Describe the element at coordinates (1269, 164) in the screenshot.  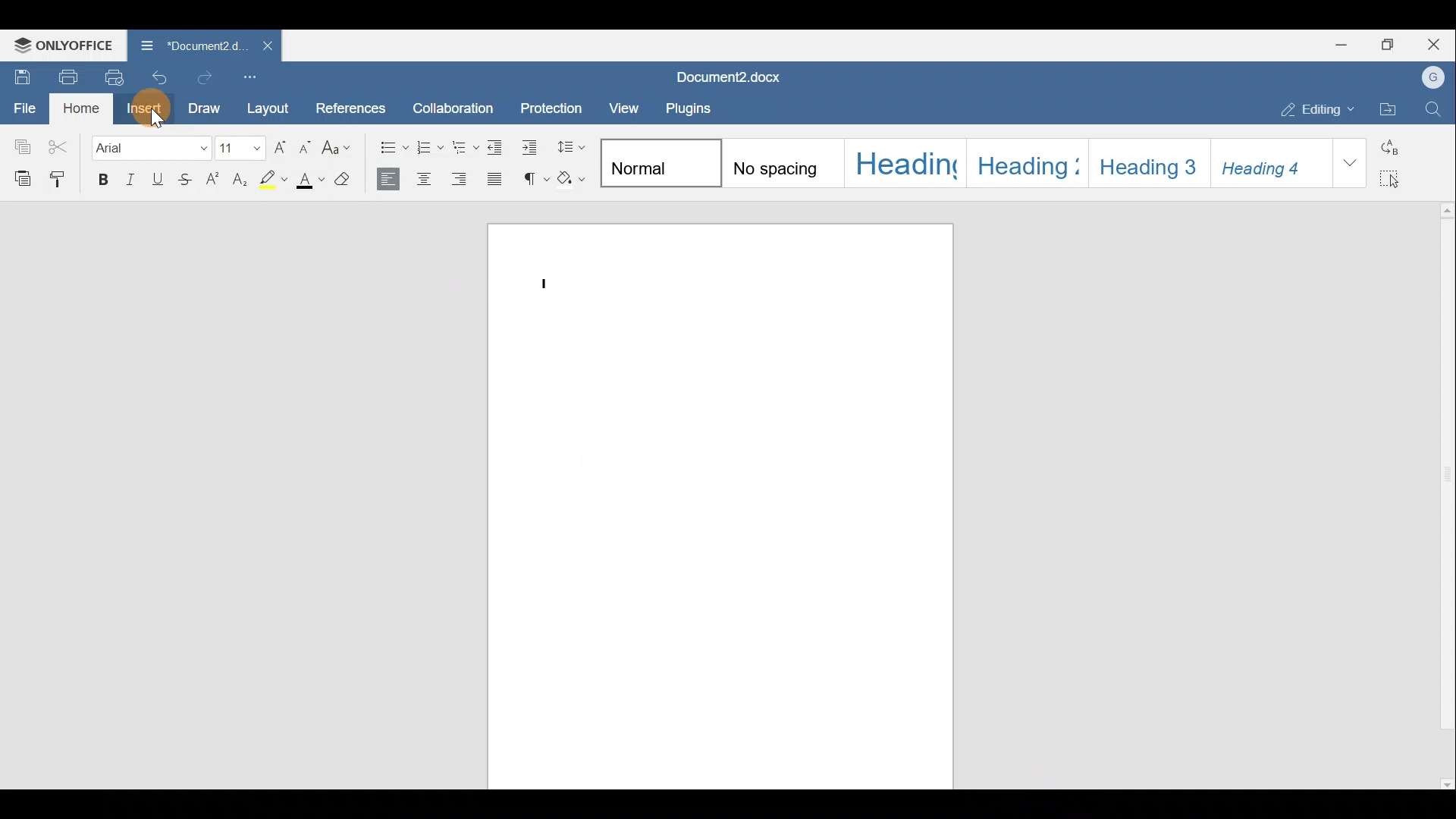
I see `Style 6` at that location.